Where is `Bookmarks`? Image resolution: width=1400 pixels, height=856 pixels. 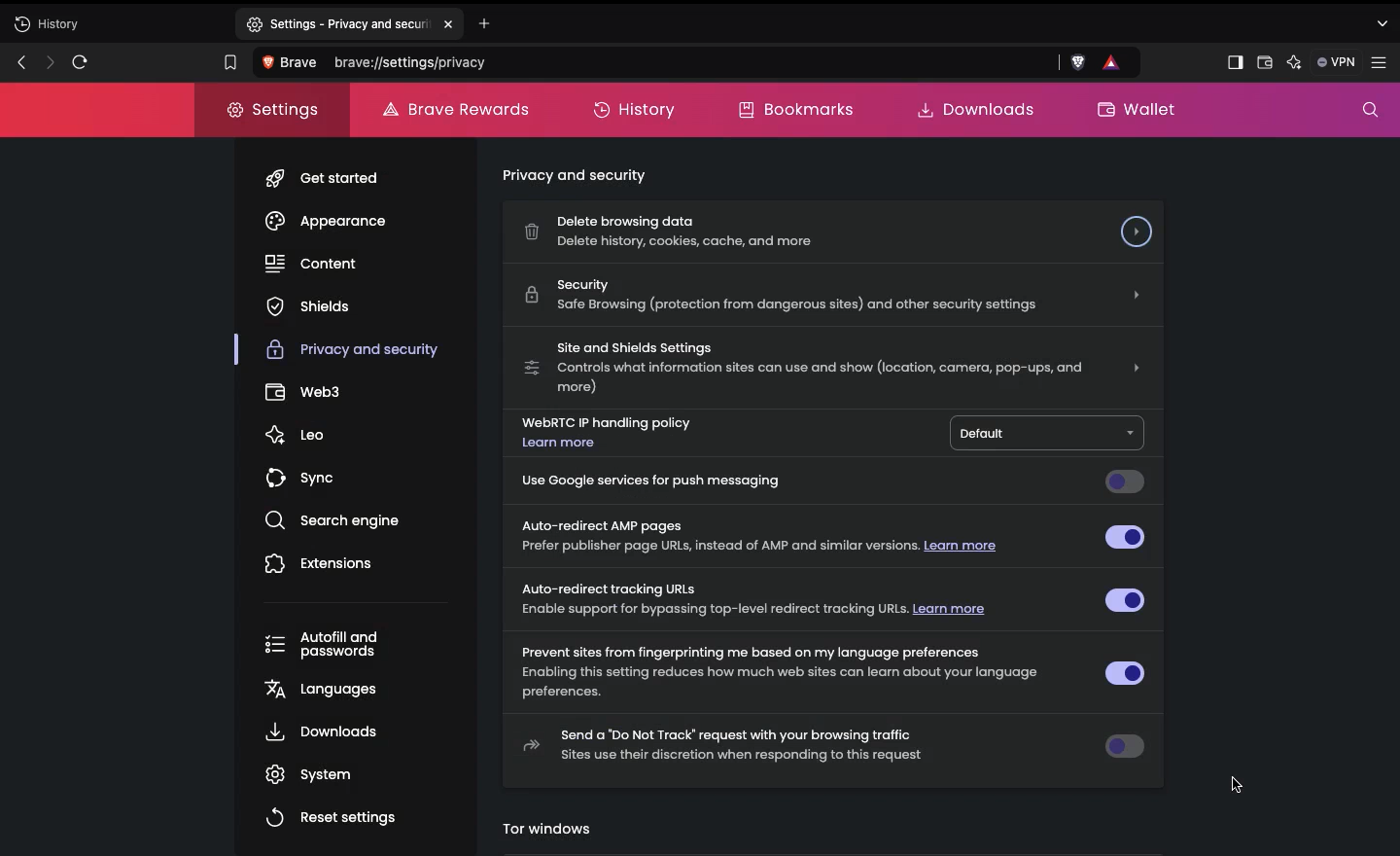 Bookmarks is located at coordinates (801, 109).